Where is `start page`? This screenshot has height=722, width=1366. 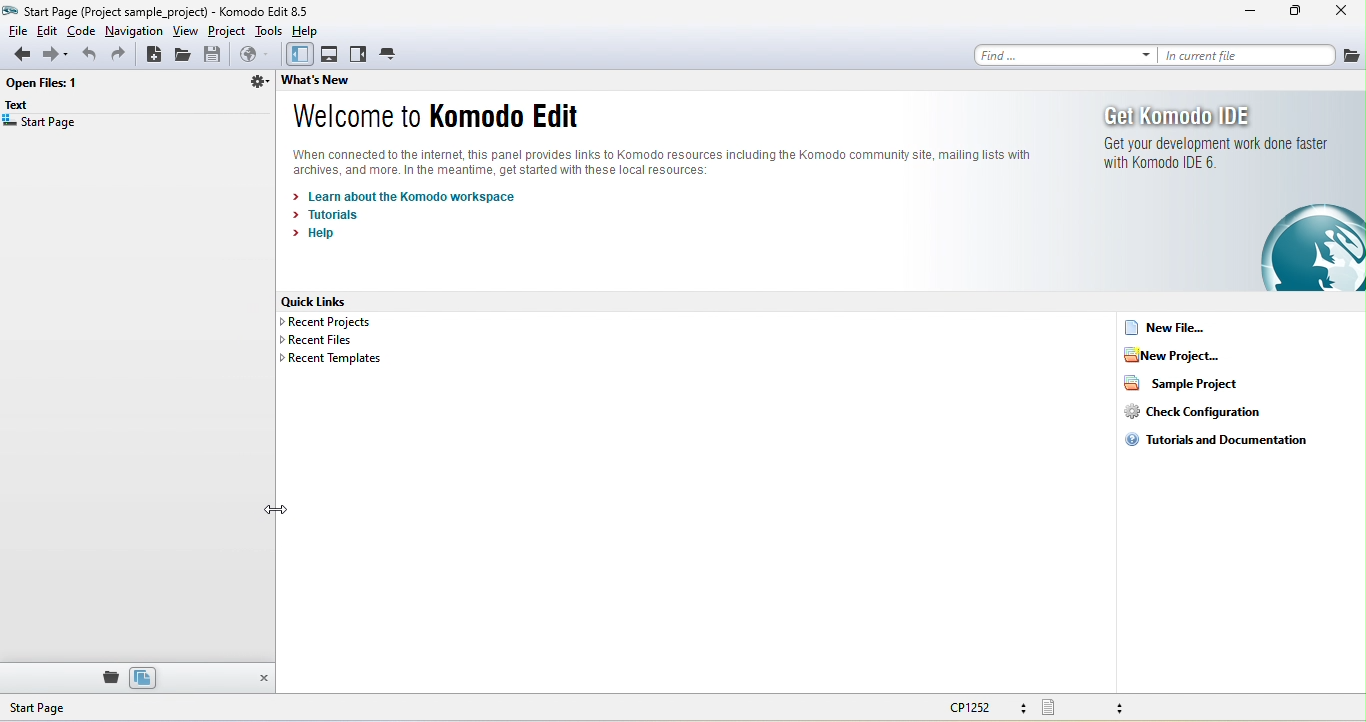
start page is located at coordinates (74, 708).